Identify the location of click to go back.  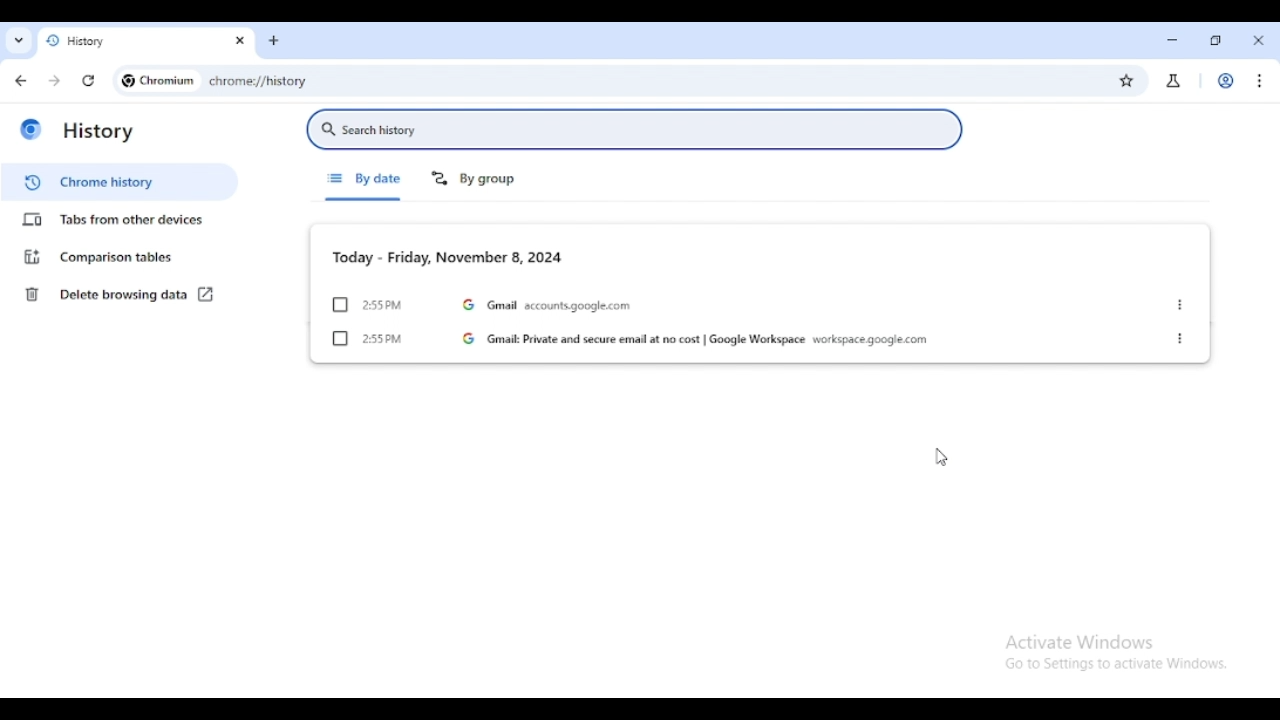
(21, 80).